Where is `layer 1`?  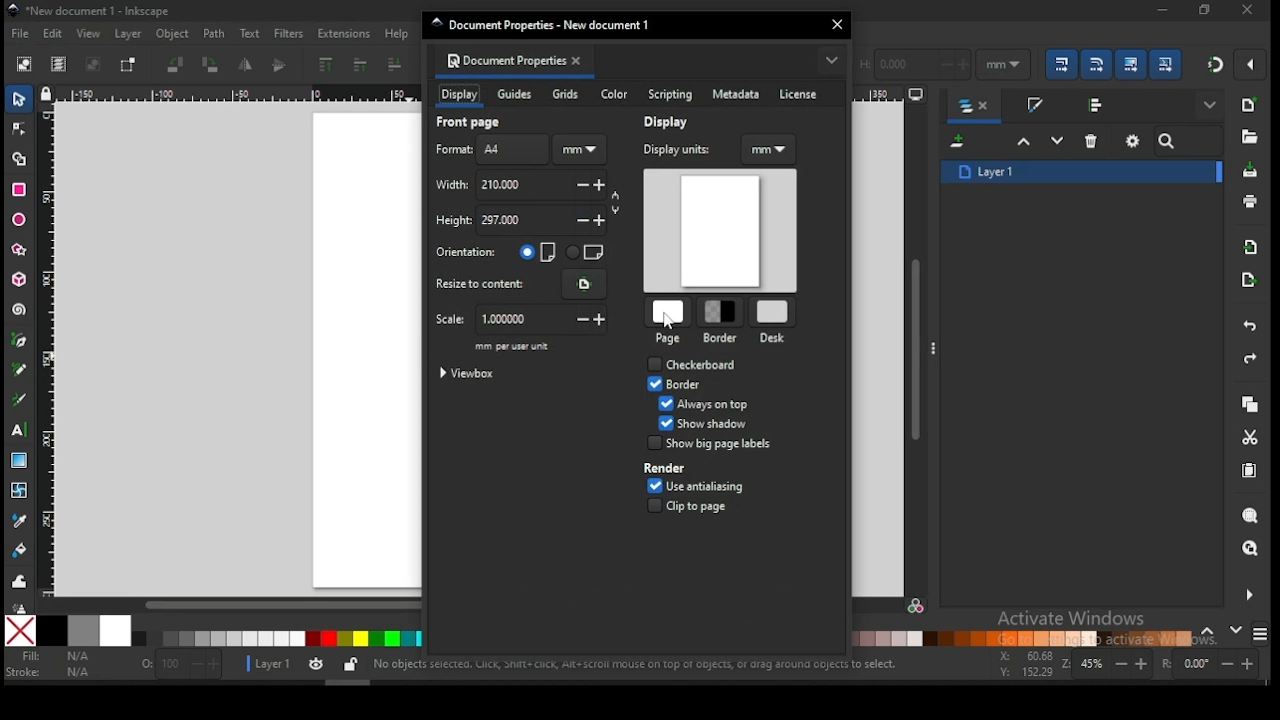 layer 1 is located at coordinates (1082, 171).